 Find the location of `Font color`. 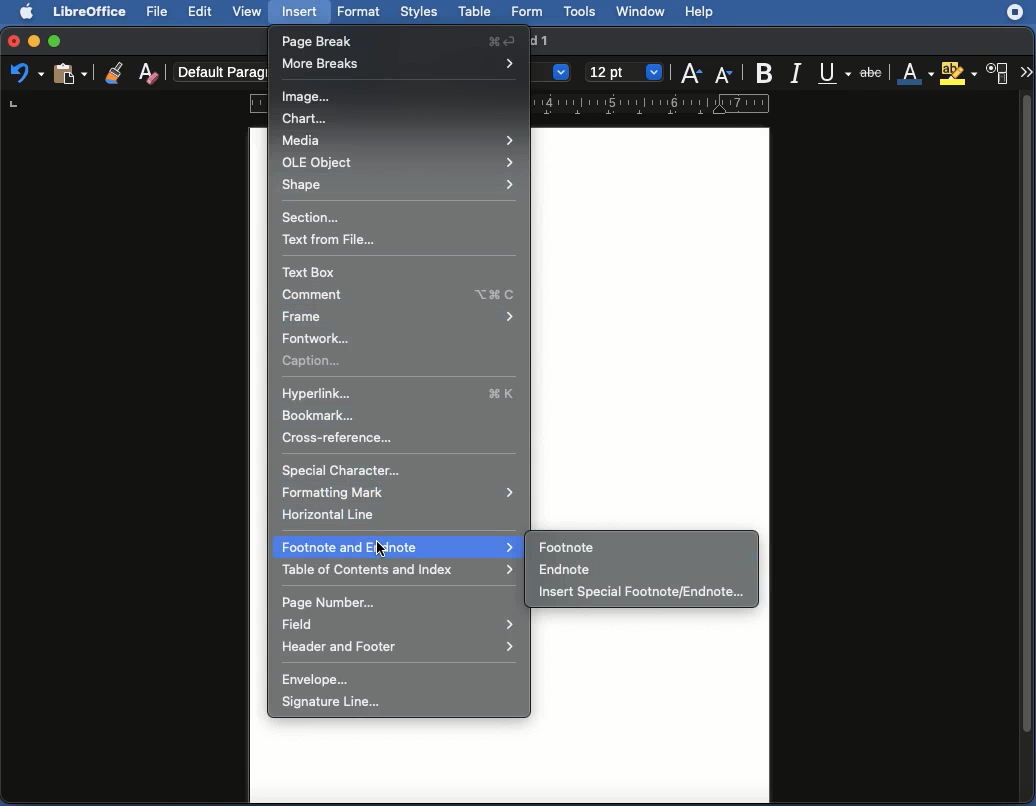

Font color is located at coordinates (914, 74).